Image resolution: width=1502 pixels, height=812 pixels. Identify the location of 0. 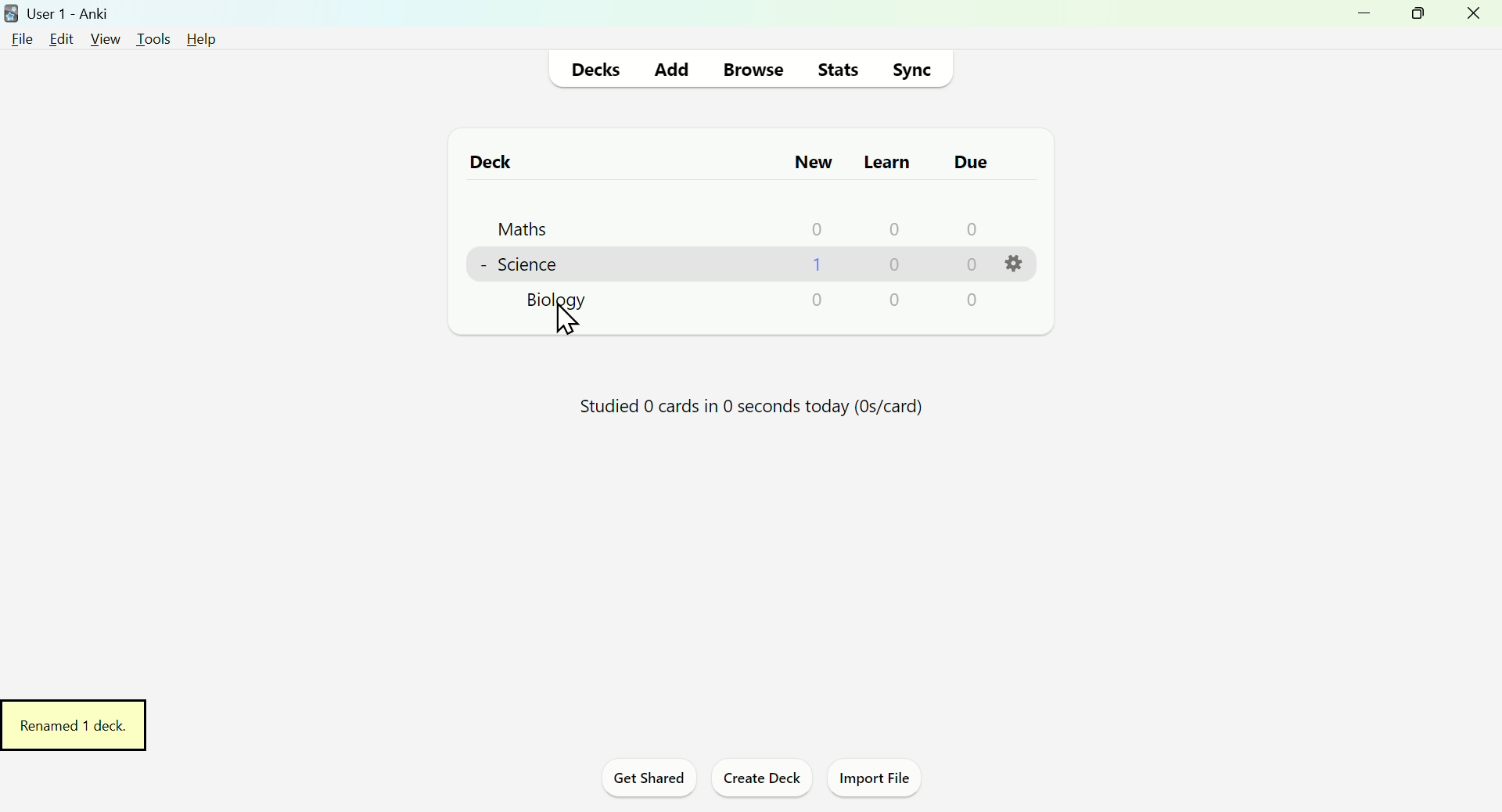
(972, 300).